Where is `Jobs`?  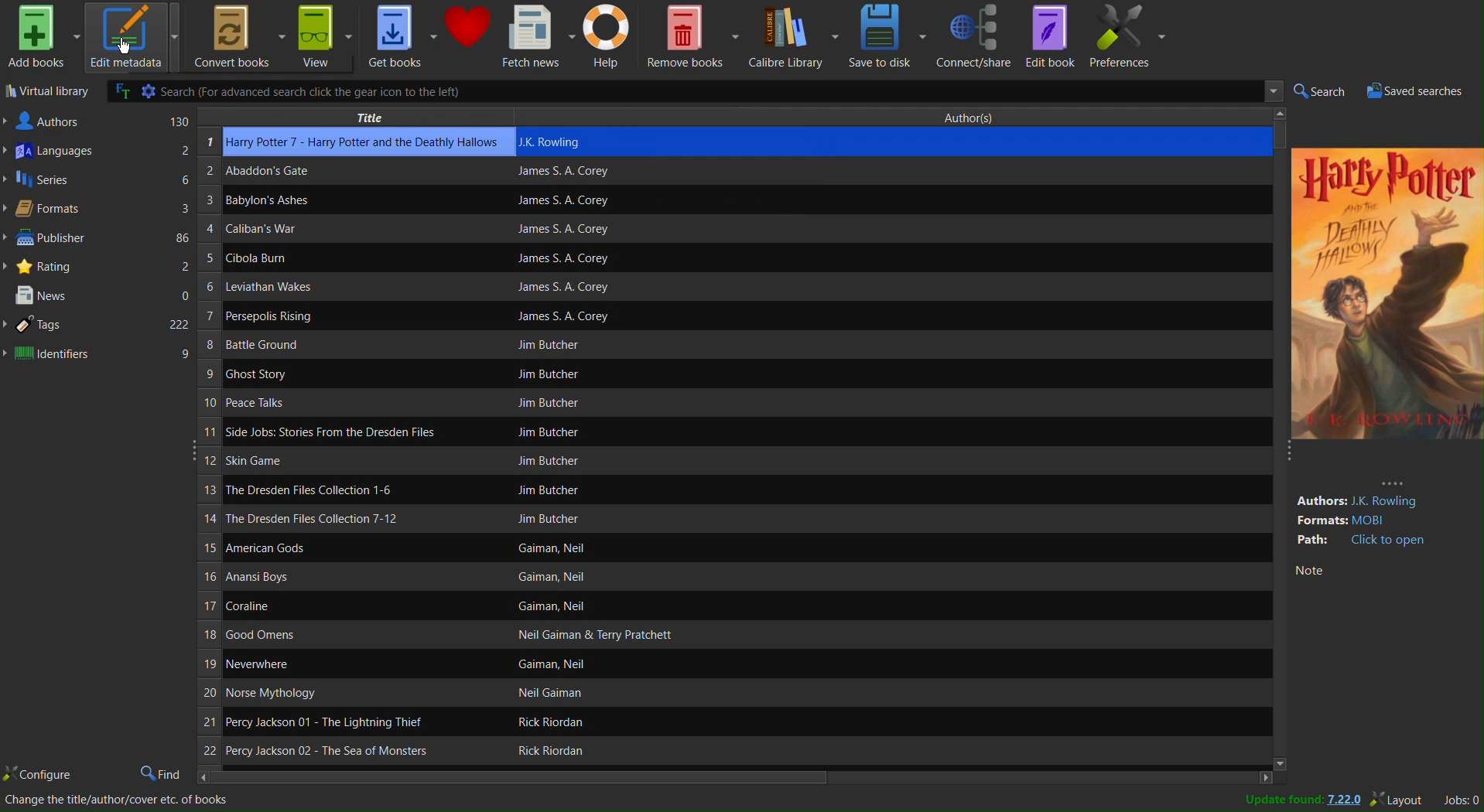 Jobs is located at coordinates (1459, 800).